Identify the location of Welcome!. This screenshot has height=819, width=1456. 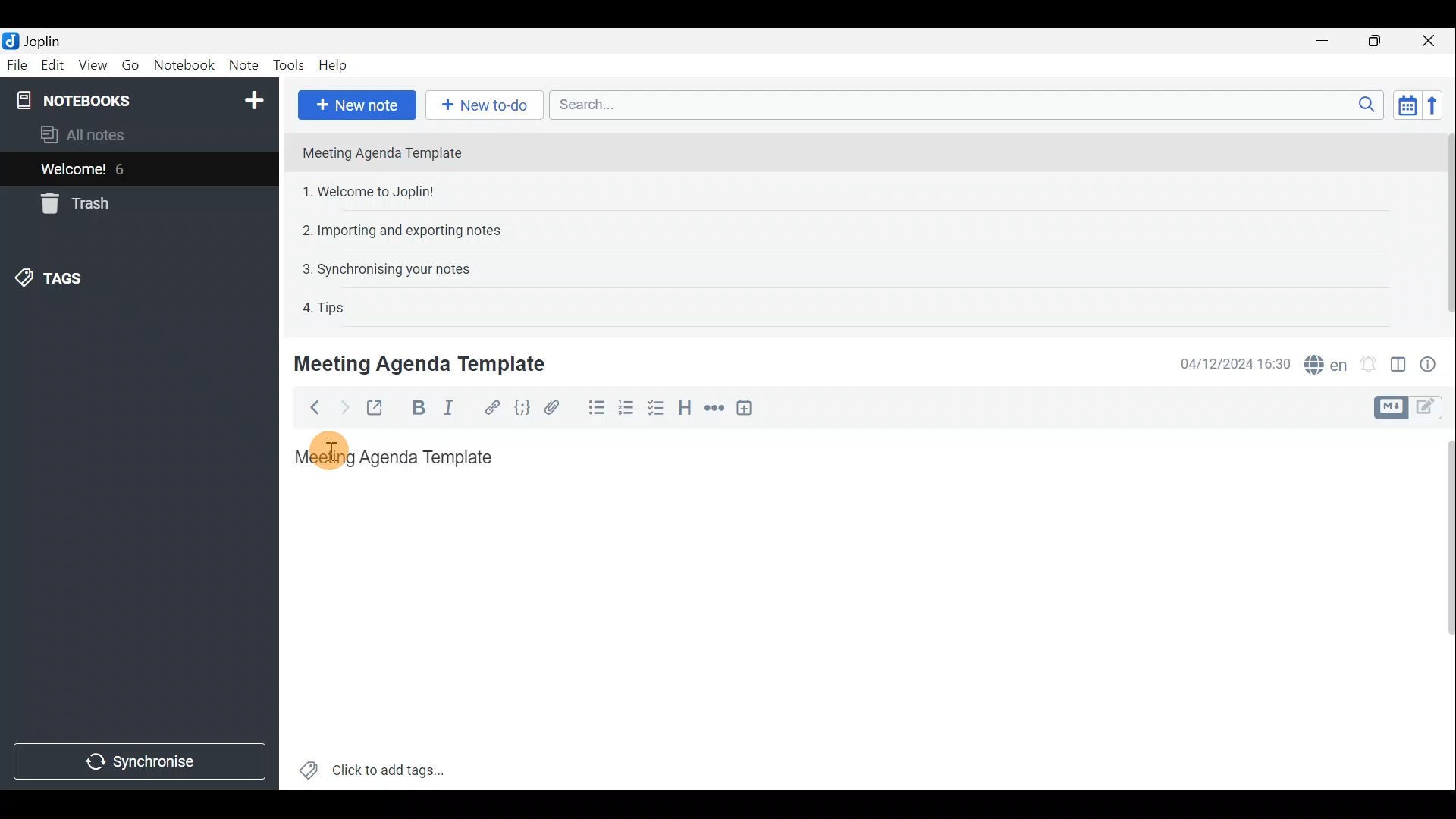
(74, 171).